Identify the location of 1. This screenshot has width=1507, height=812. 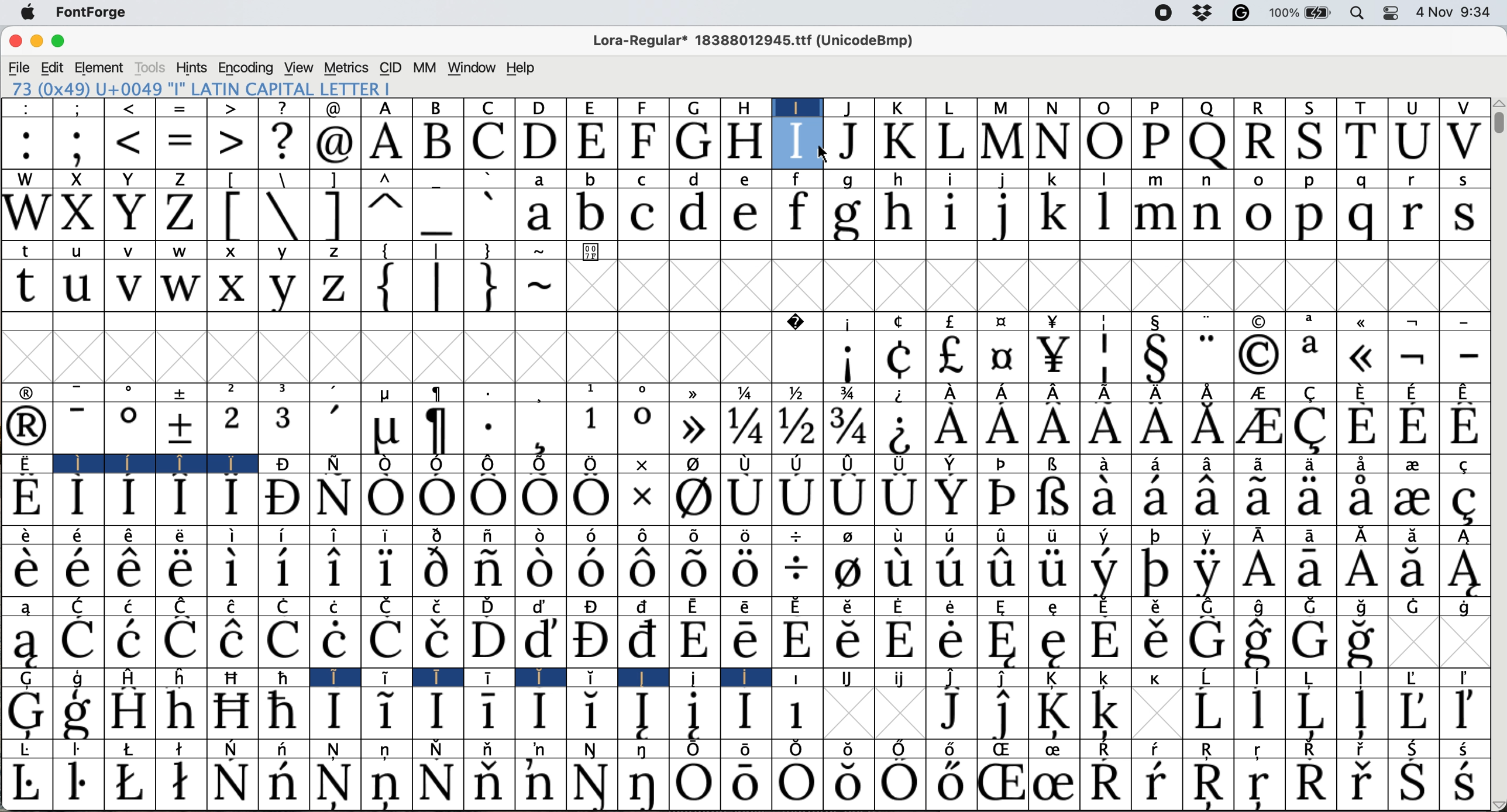
(590, 392).